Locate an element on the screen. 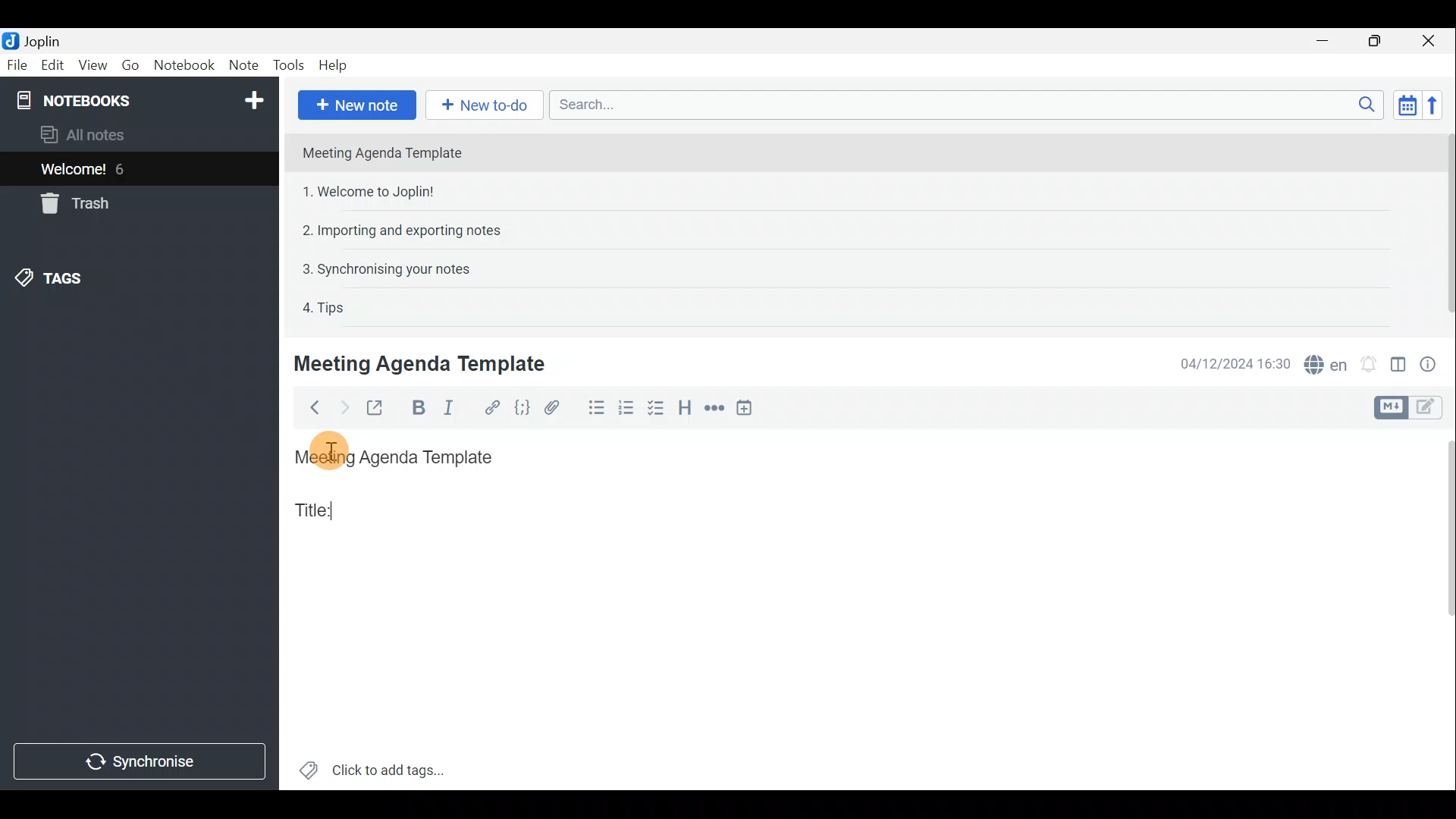 This screenshot has height=819, width=1456. Spell checker is located at coordinates (1327, 362).